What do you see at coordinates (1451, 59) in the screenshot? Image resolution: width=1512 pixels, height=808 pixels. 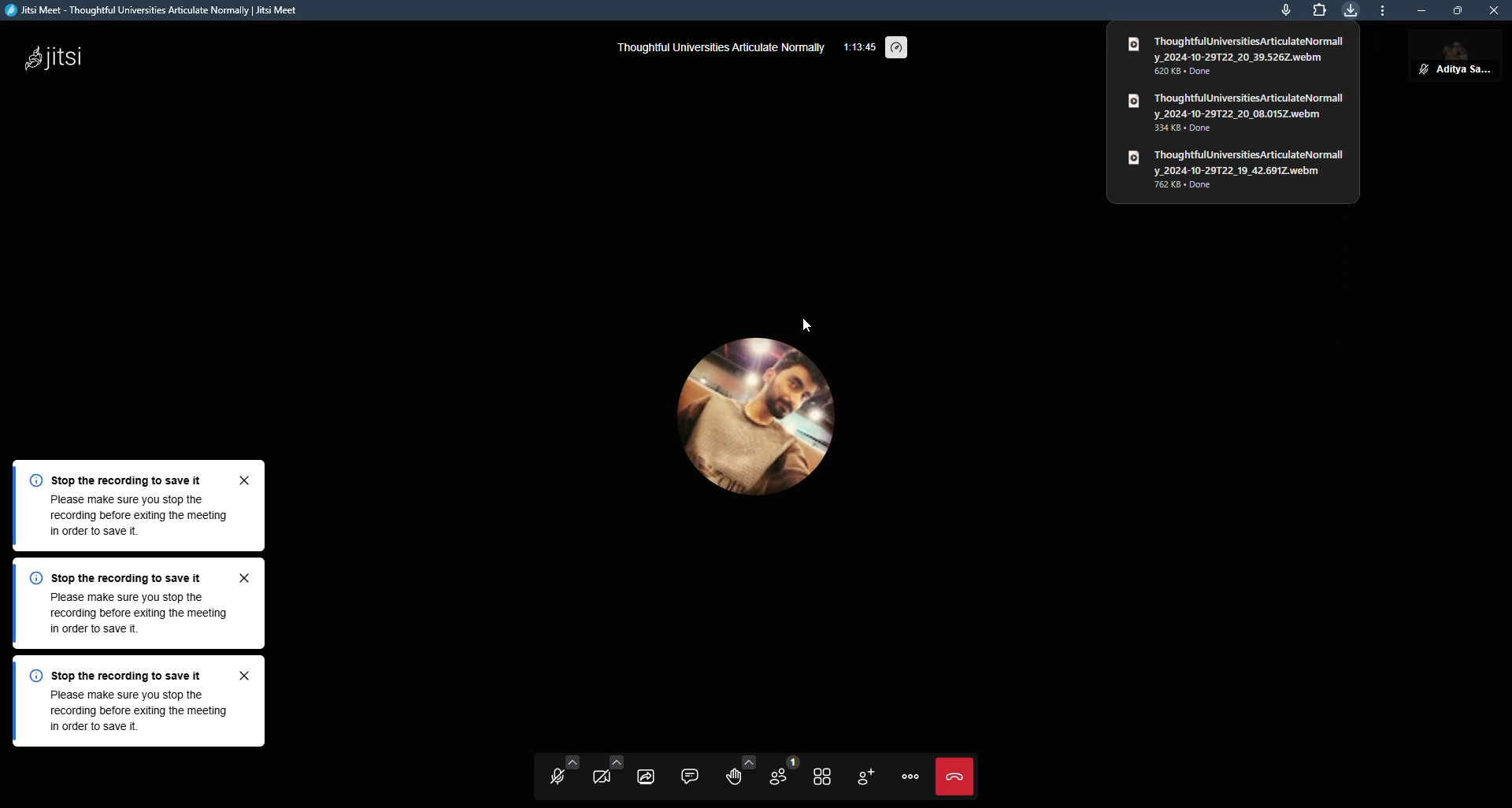 I see `Aditya sarkar` at bounding box center [1451, 59].